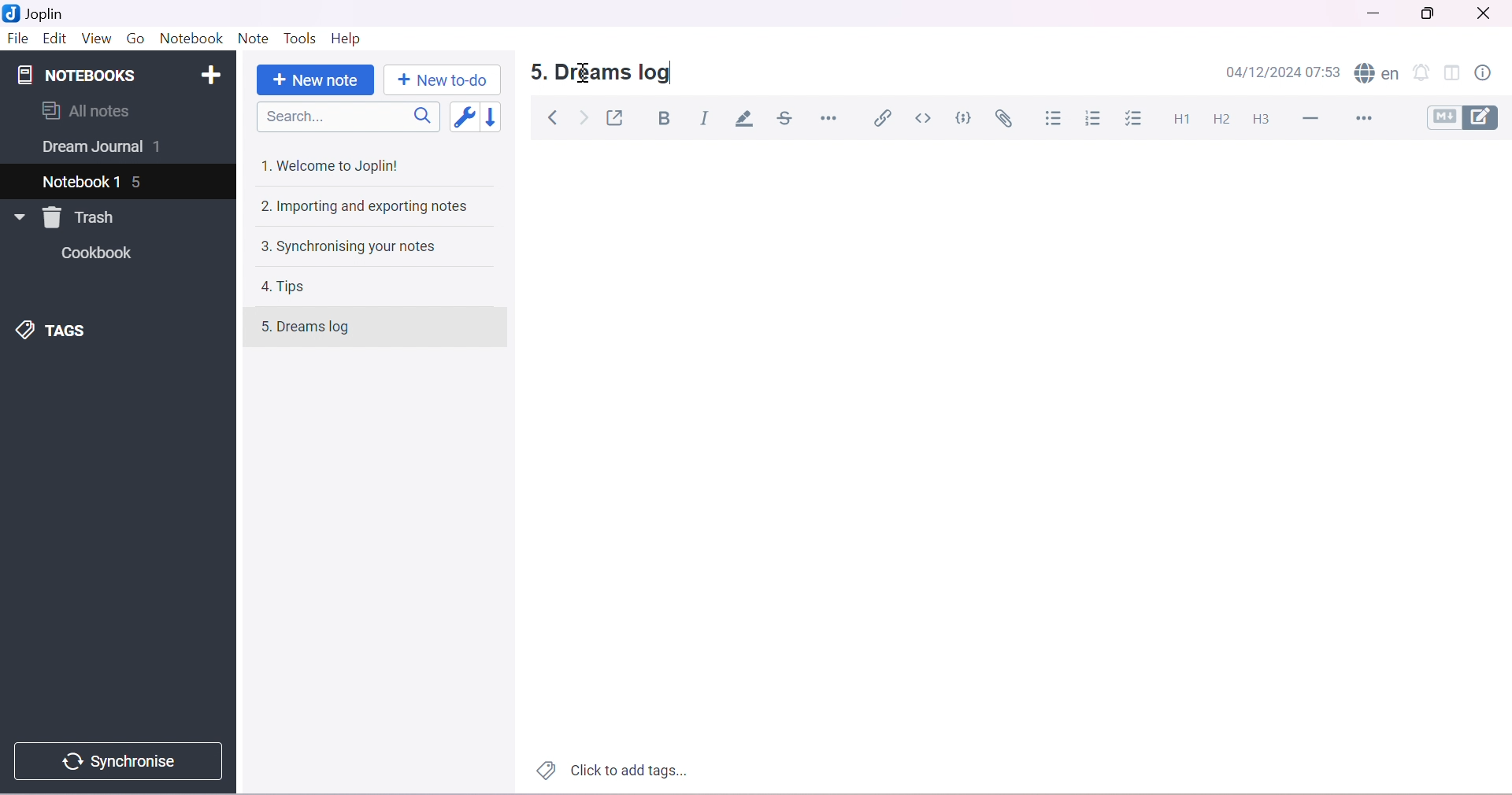 The height and width of the screenshot is (795, 1512). What do you see at coordinates (618, 118) in the screenshot?
I see `Toggle external editing` at bounding box center [618, 118].